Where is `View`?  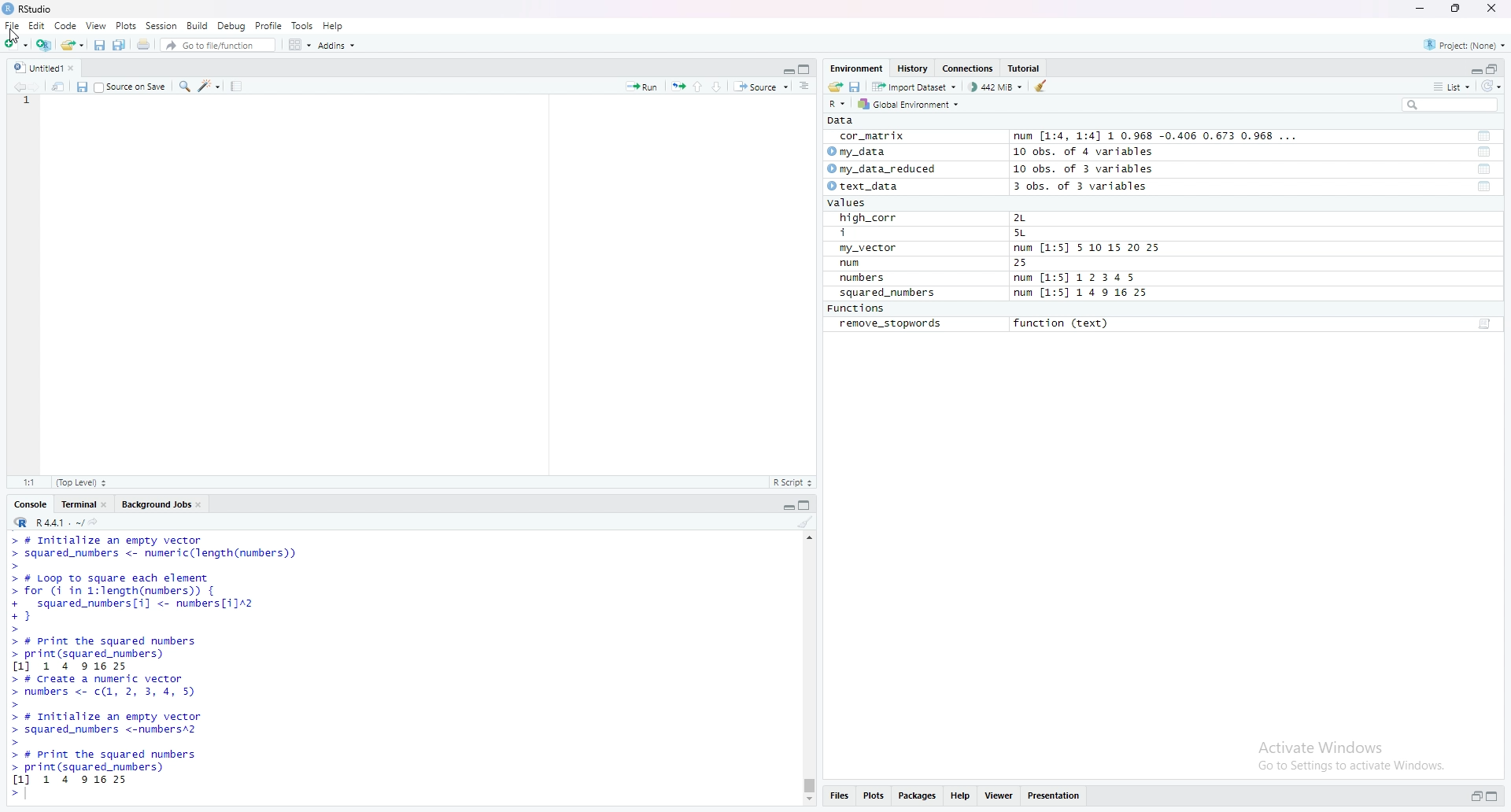
View is located at coordinates (999, 798).